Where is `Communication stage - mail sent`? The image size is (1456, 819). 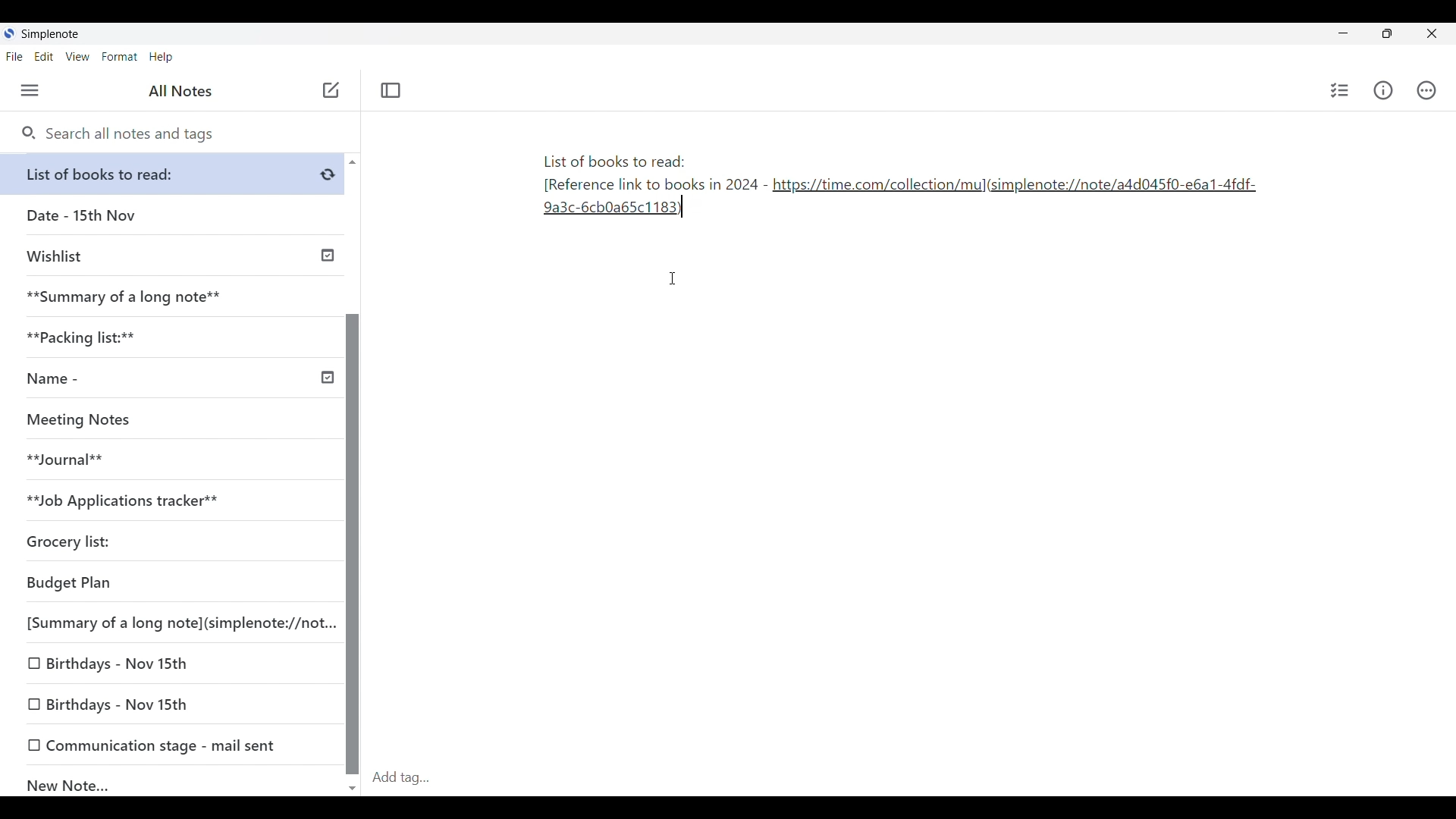 Communication stage - mail sent is located at coordinates (173, 745).